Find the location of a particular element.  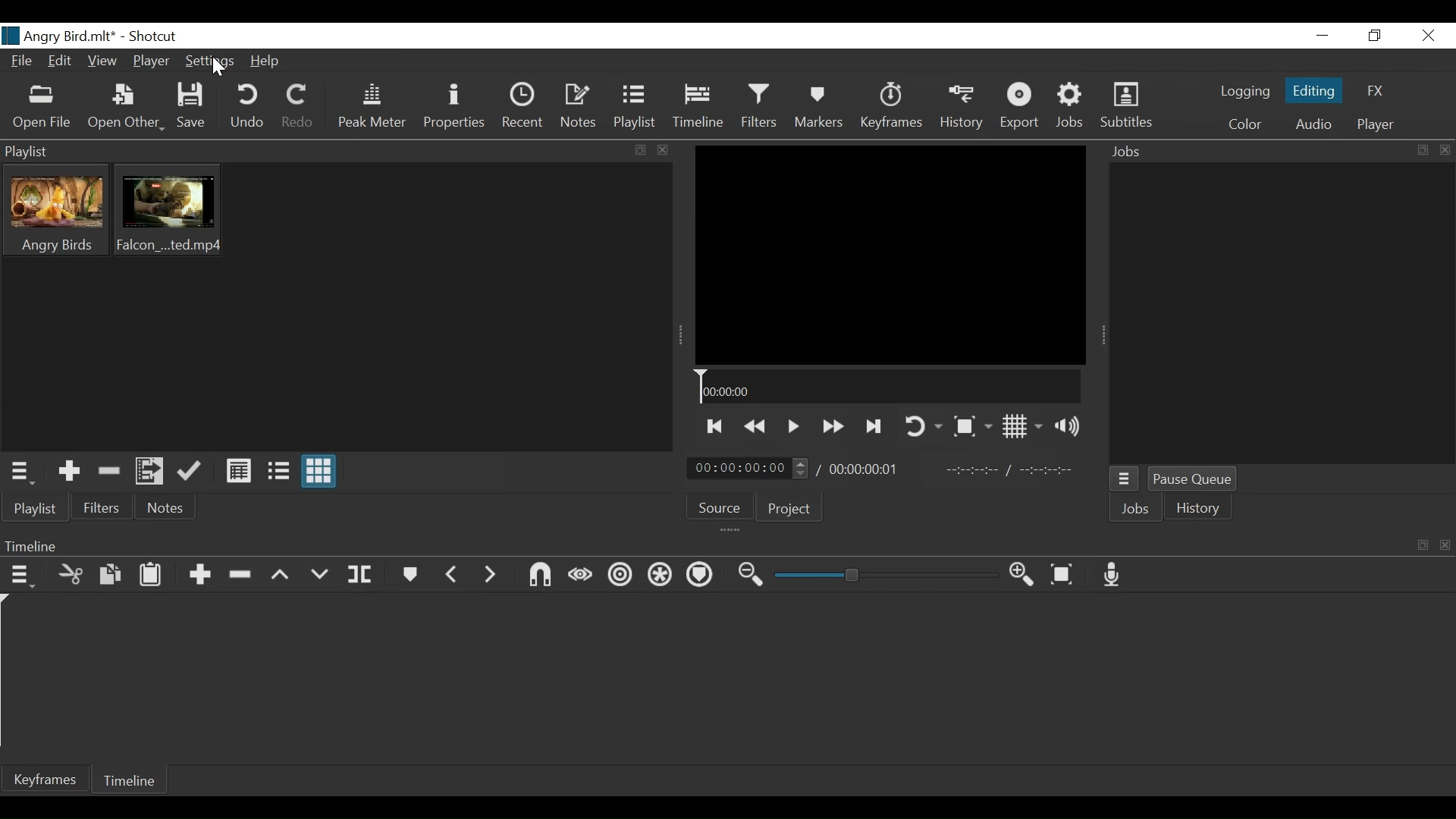

Cursor is located at coordinates (221, 68).